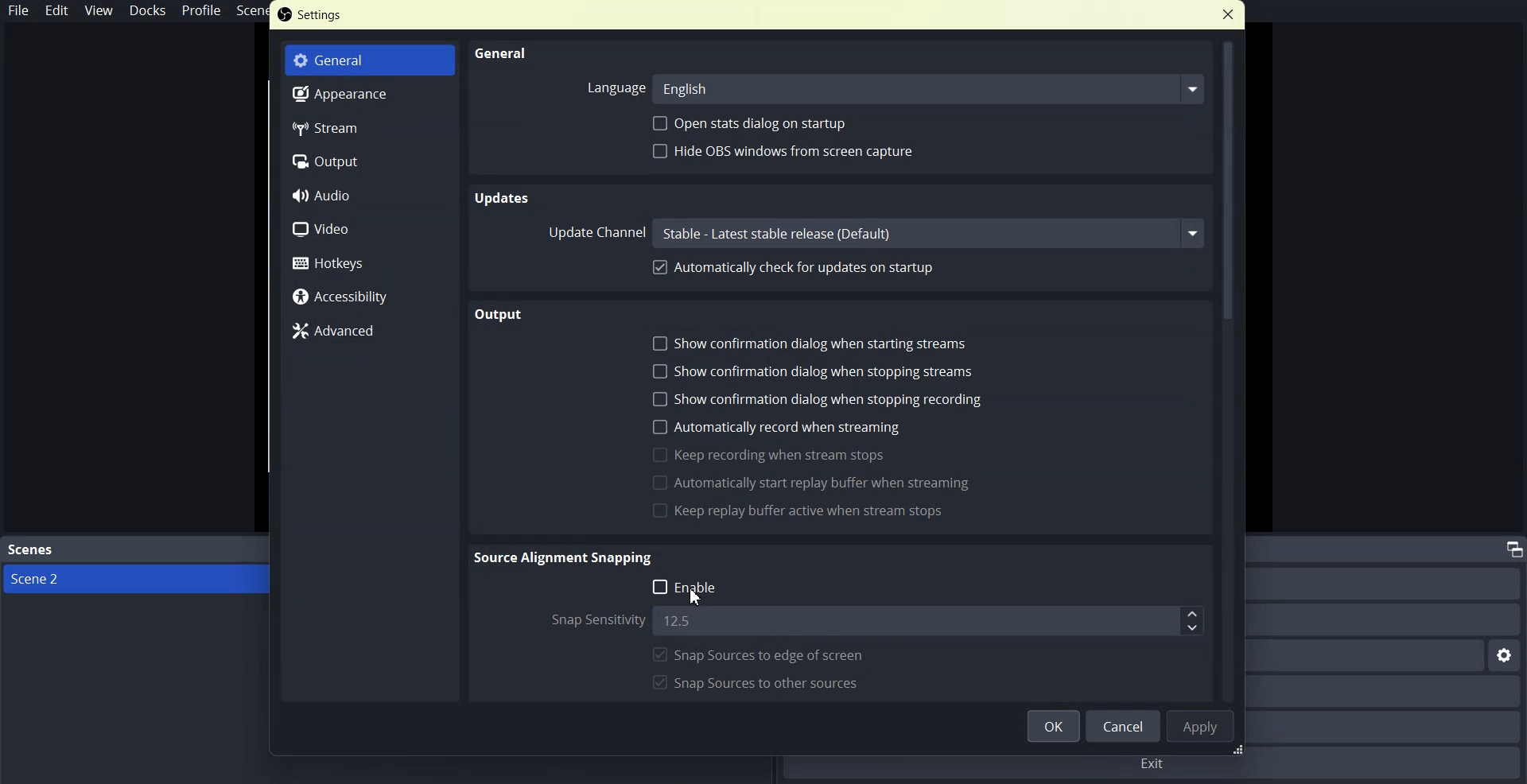 The height and width of the screenshot is (784, 1527). What do you see at coordinates (564, 557) in the screenshot?
I see `Source Alignment Snapping` at bounding box center [564, 557].